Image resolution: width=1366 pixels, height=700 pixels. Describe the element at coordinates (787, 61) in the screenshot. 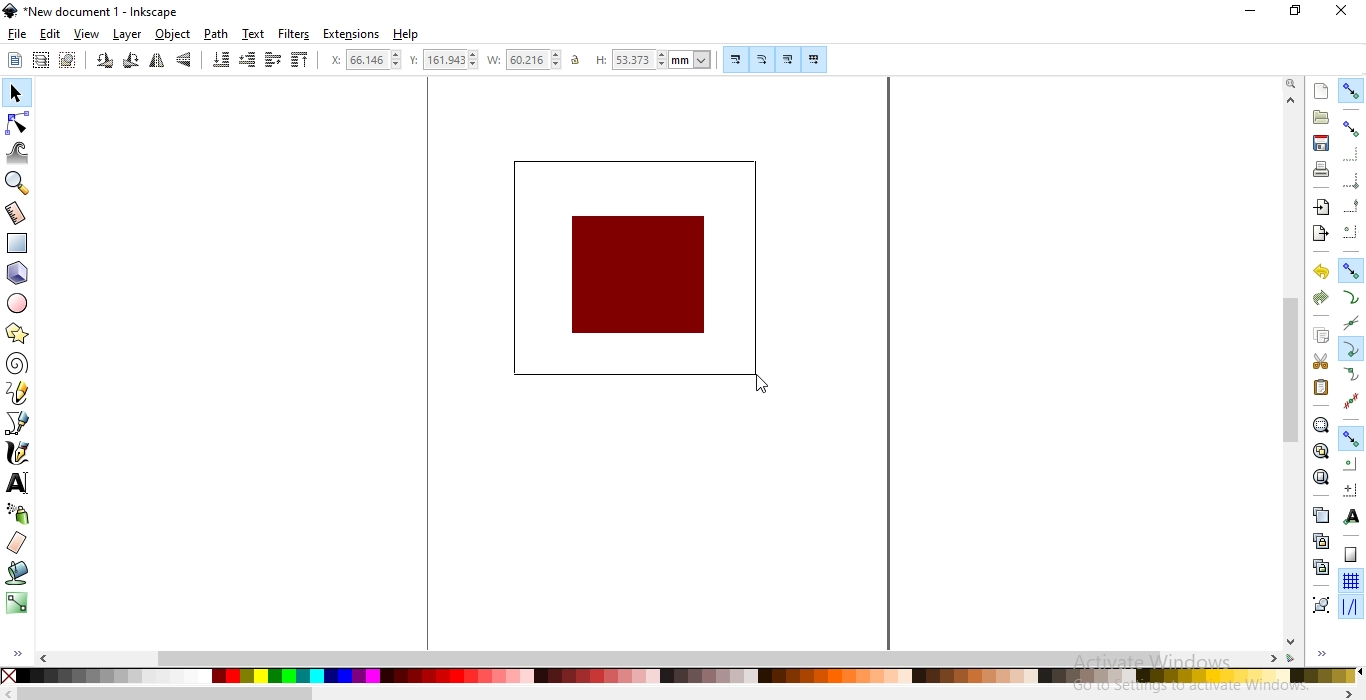

I see `move gradients alongwith objects` at that location.